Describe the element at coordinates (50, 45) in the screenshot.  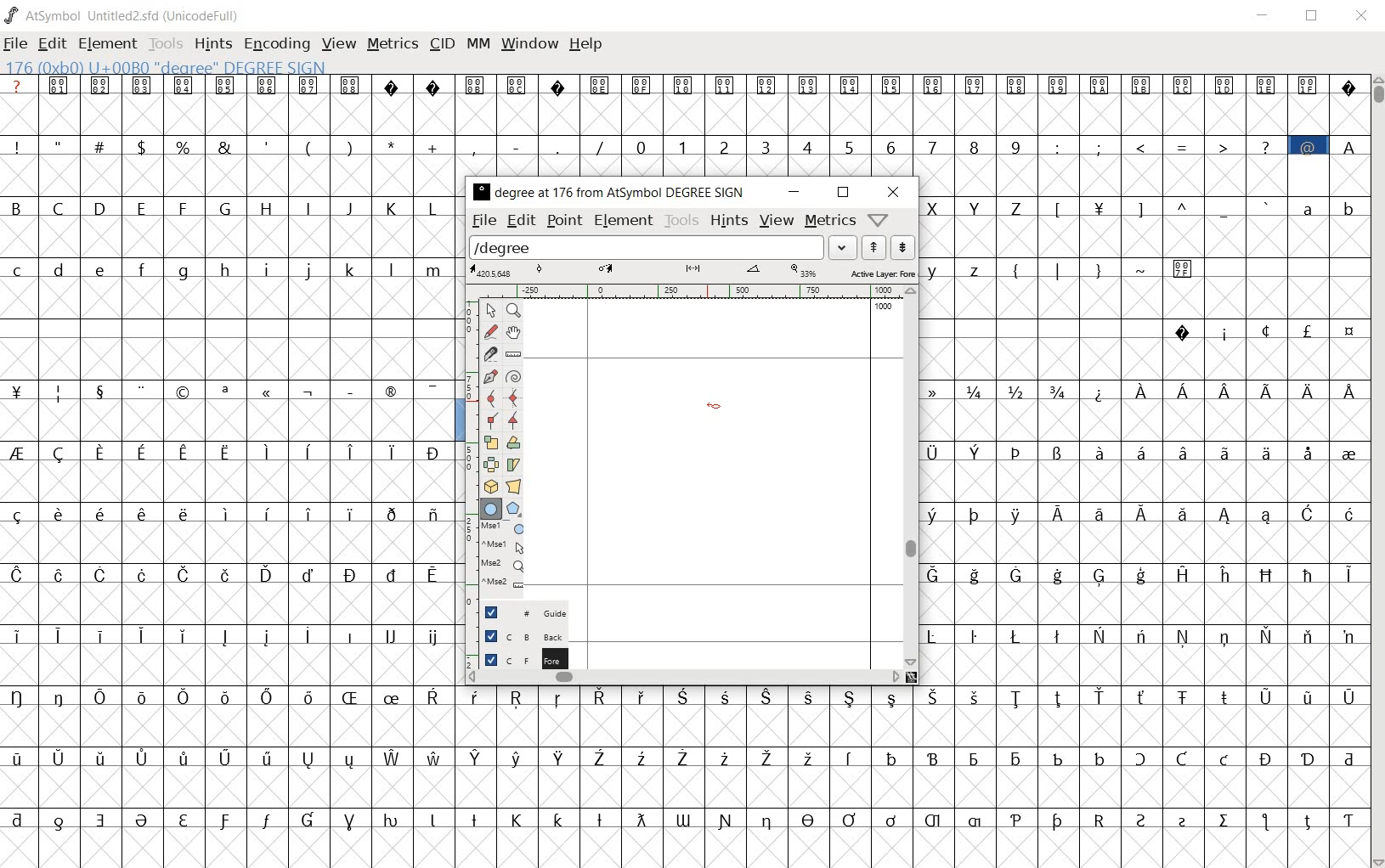
I see `edit` at that location.